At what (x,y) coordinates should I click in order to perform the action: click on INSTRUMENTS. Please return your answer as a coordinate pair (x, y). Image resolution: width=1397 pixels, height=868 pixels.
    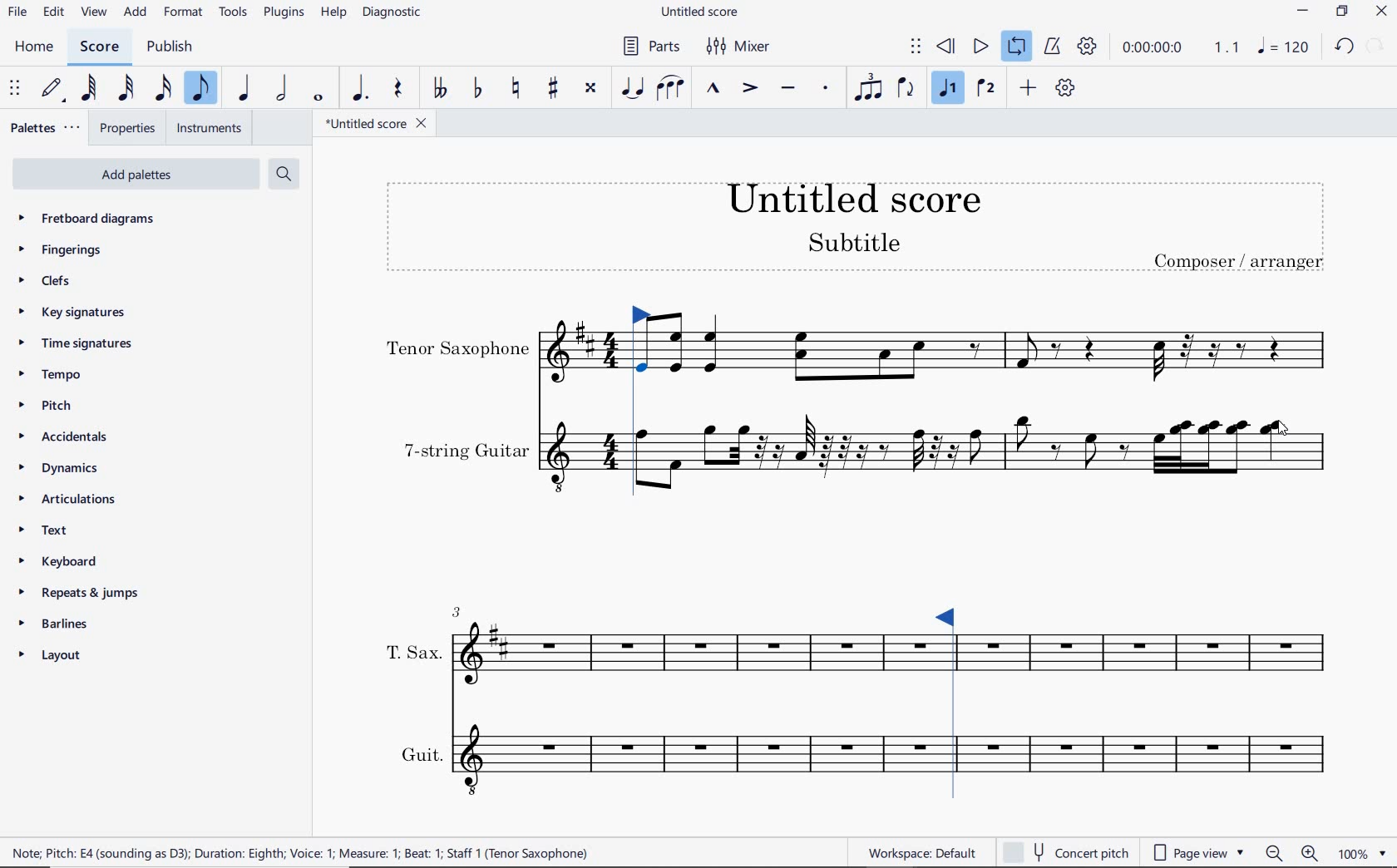
    Looking at the image, I should click on (212, 130).